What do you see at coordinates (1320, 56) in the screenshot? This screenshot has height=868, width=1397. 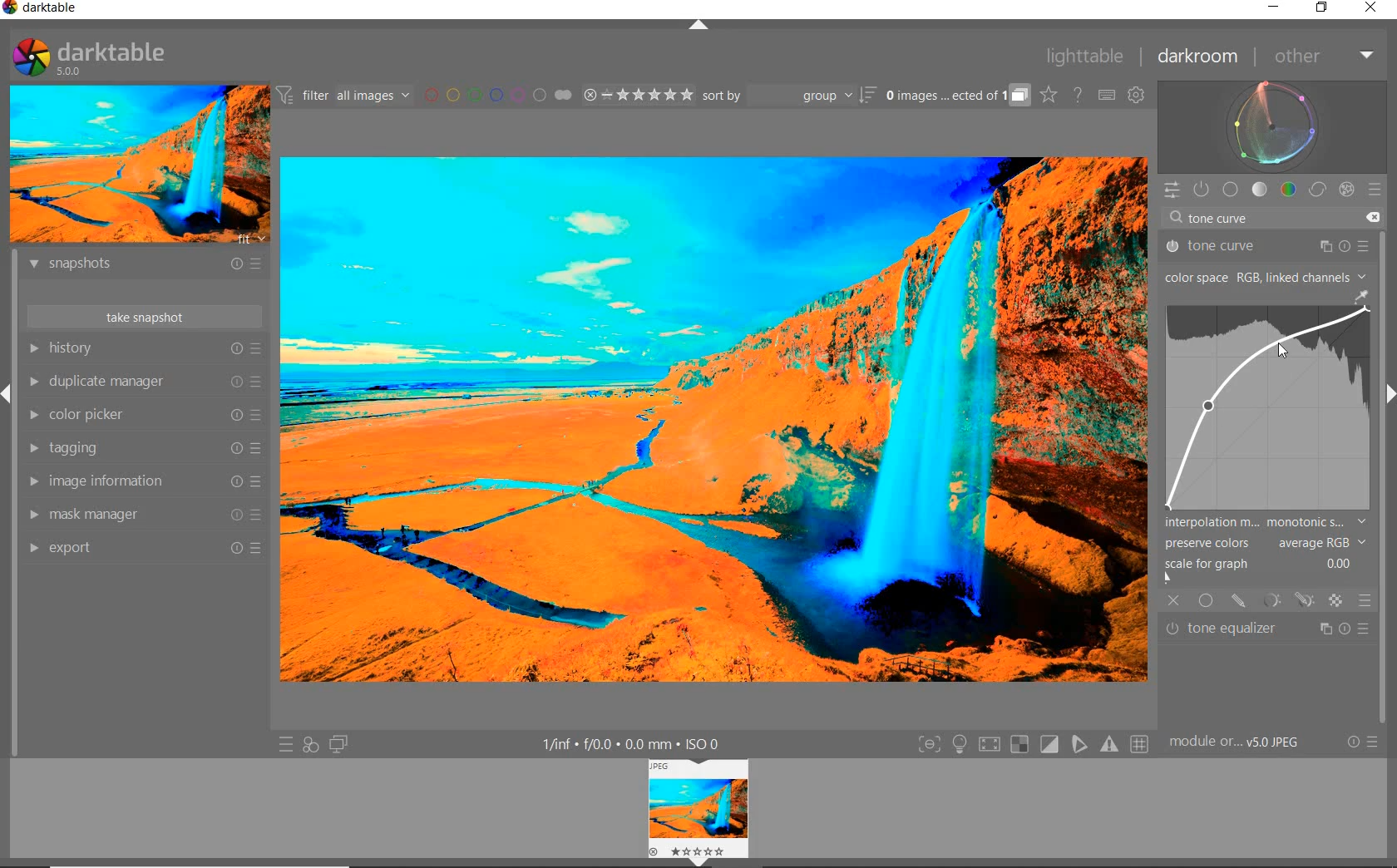 I see `other` at bounding box center [1320, 56].